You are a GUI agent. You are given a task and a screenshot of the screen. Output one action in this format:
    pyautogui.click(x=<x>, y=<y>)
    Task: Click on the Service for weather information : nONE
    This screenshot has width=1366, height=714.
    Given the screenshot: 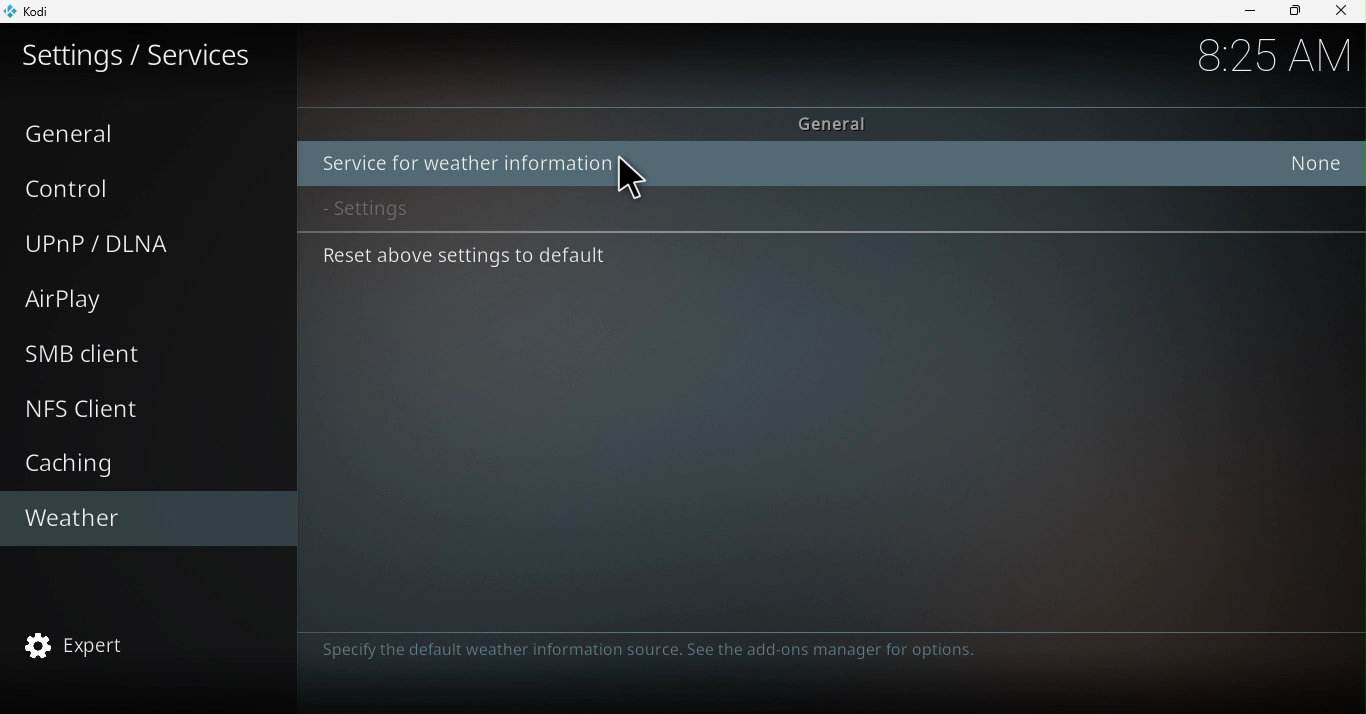 What is the action you would take?
    pyautogui.click(x=832, y=162)
    